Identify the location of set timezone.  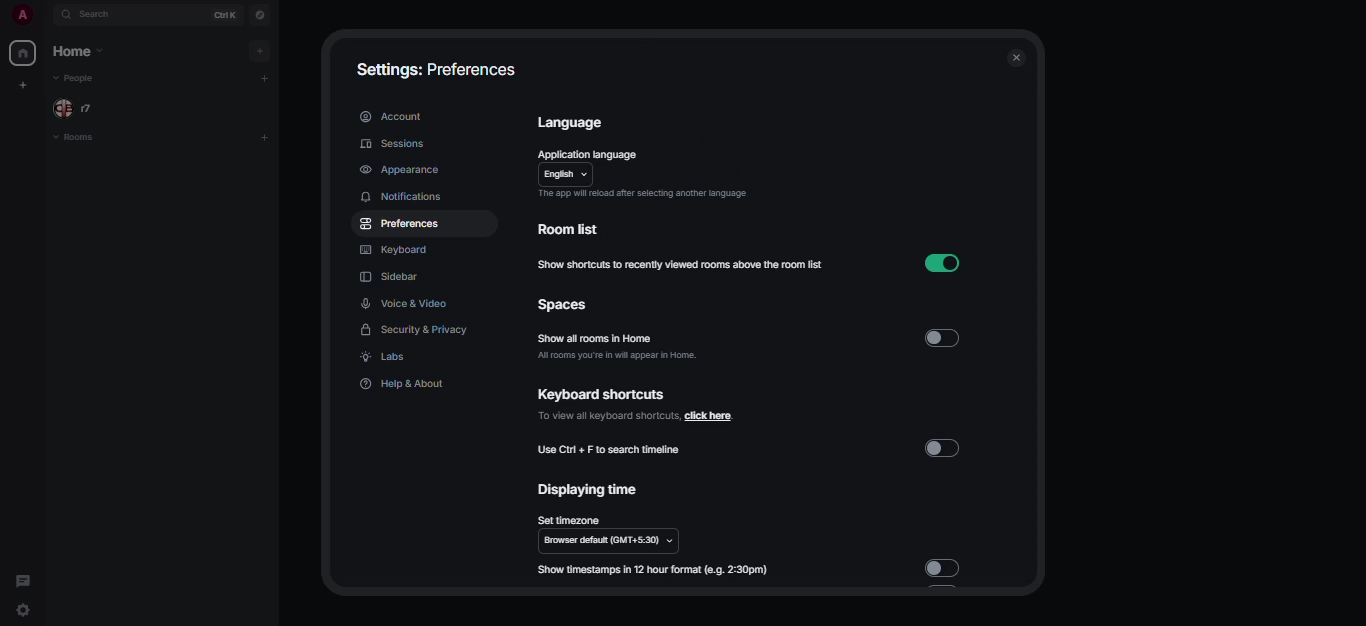
(569, 520).